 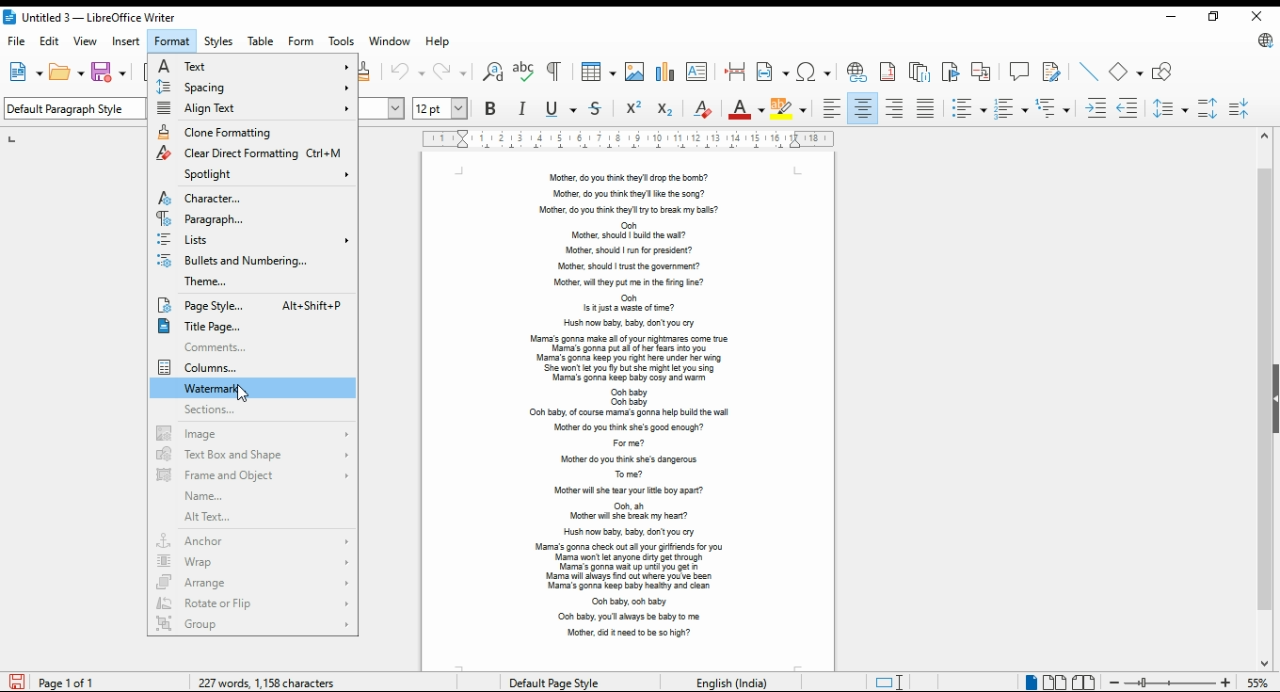 What do you see at coordinates (254, 432) in the screenshot?
I see `image` at bounding box center [254, 432].